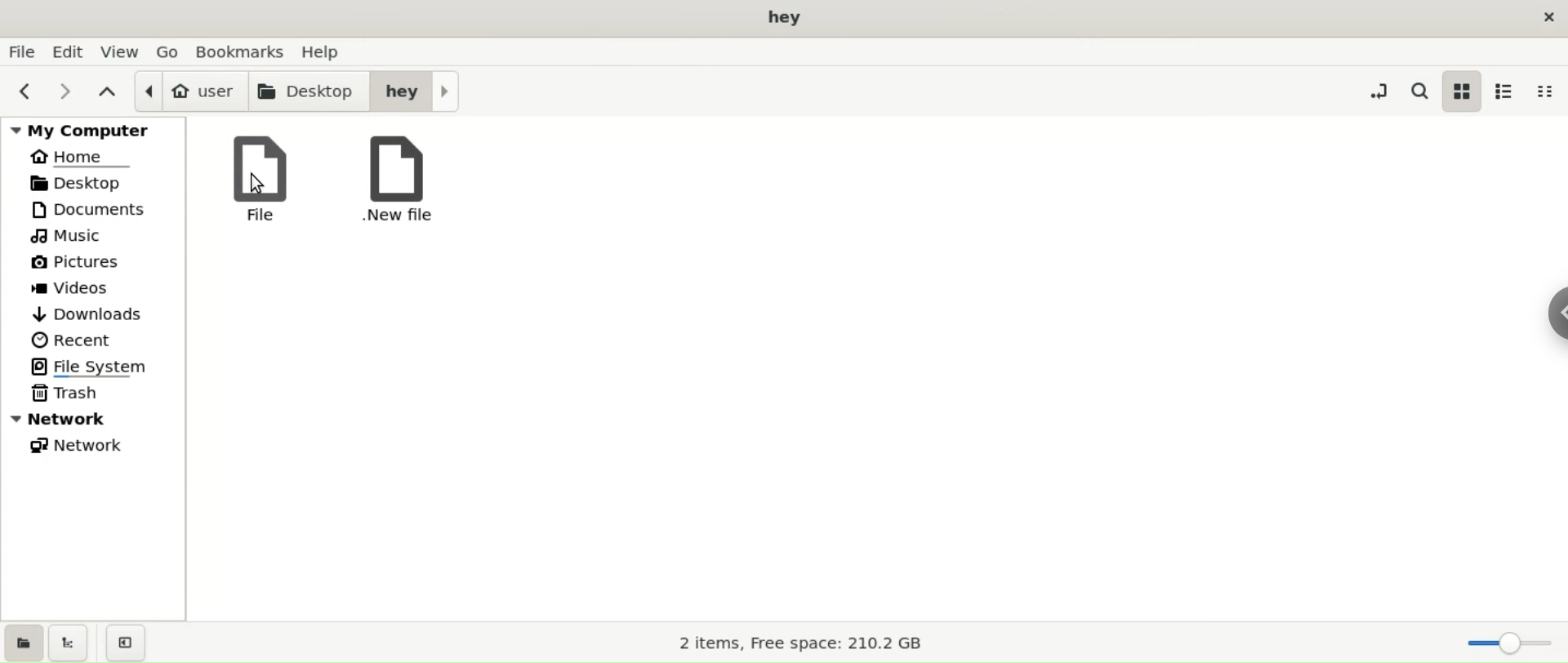 The height and width of the screenshot is (663, 1568). Describe the element at coordinates (128, 641) in the screenshot. I see `close sidebar` at that location.